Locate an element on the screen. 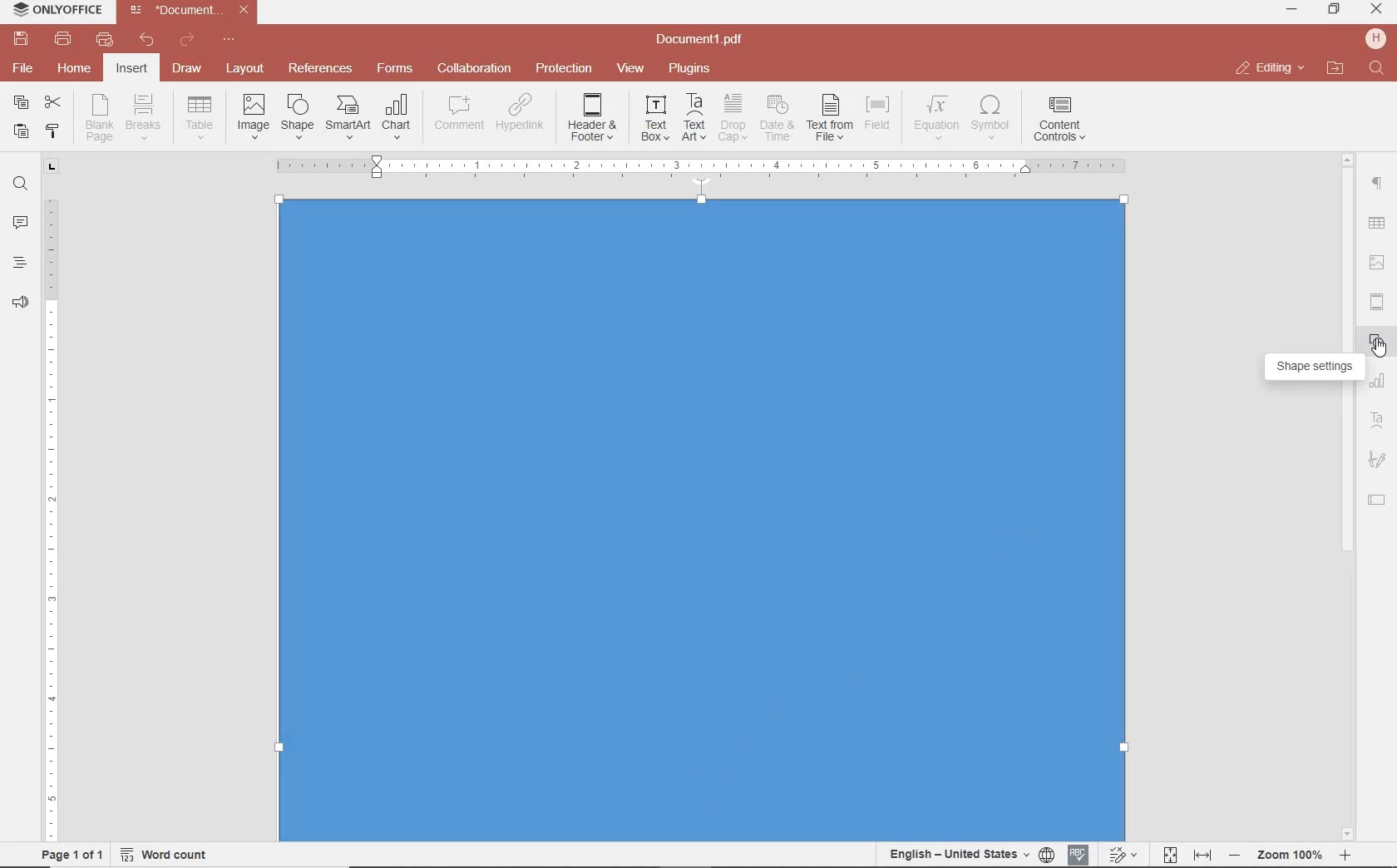 The width and height of the screenshot is (1397, 868). file name is located at coordinates (193, 10).